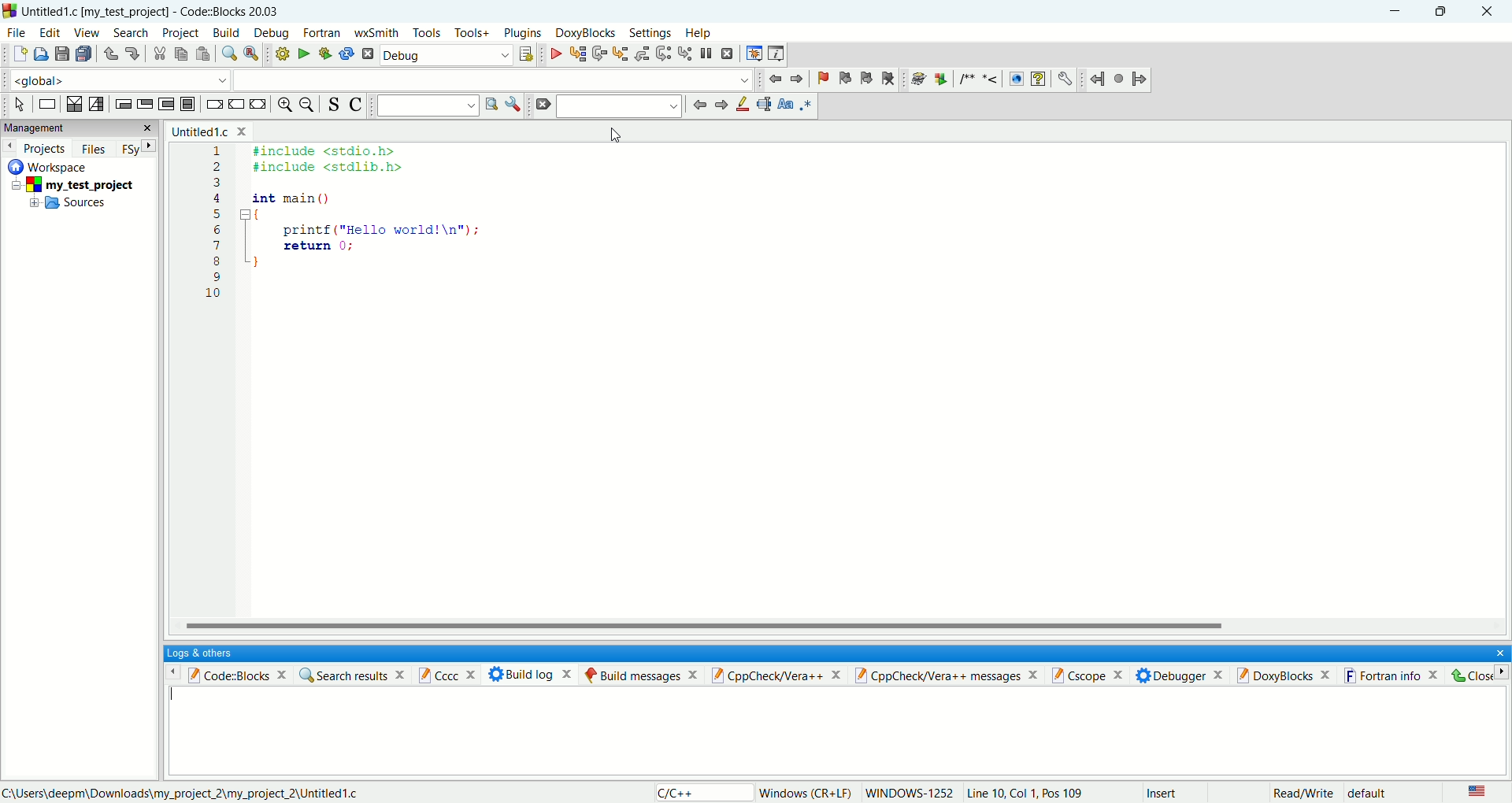 Image resolution: width=1512 pixels, height=803 pixels. I want to click on logo, so click(9, 9).